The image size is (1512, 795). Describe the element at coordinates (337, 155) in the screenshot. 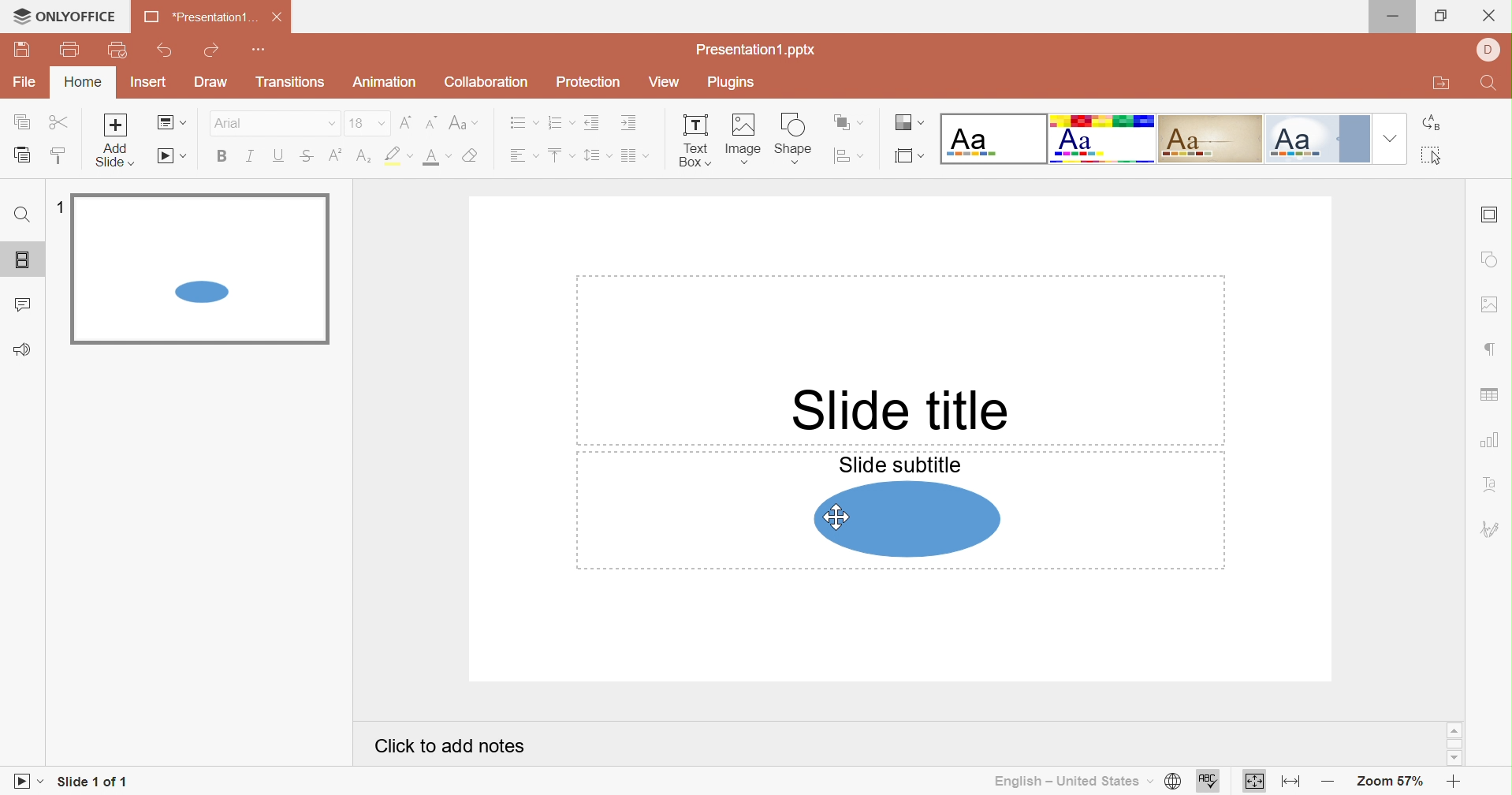

I see `Superscript` at that location.